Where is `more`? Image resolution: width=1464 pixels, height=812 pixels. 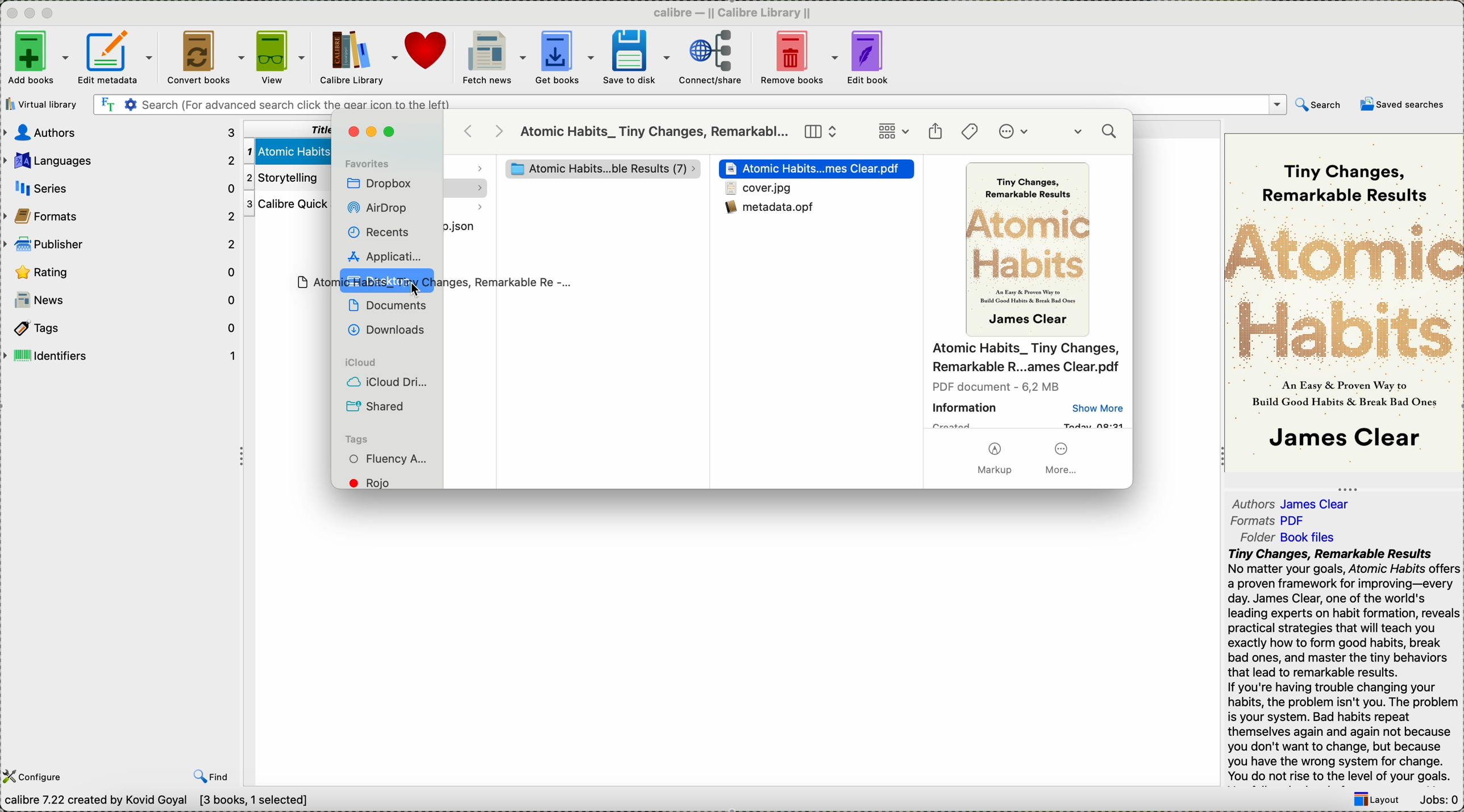
more is located at coordinates (1063, 458).